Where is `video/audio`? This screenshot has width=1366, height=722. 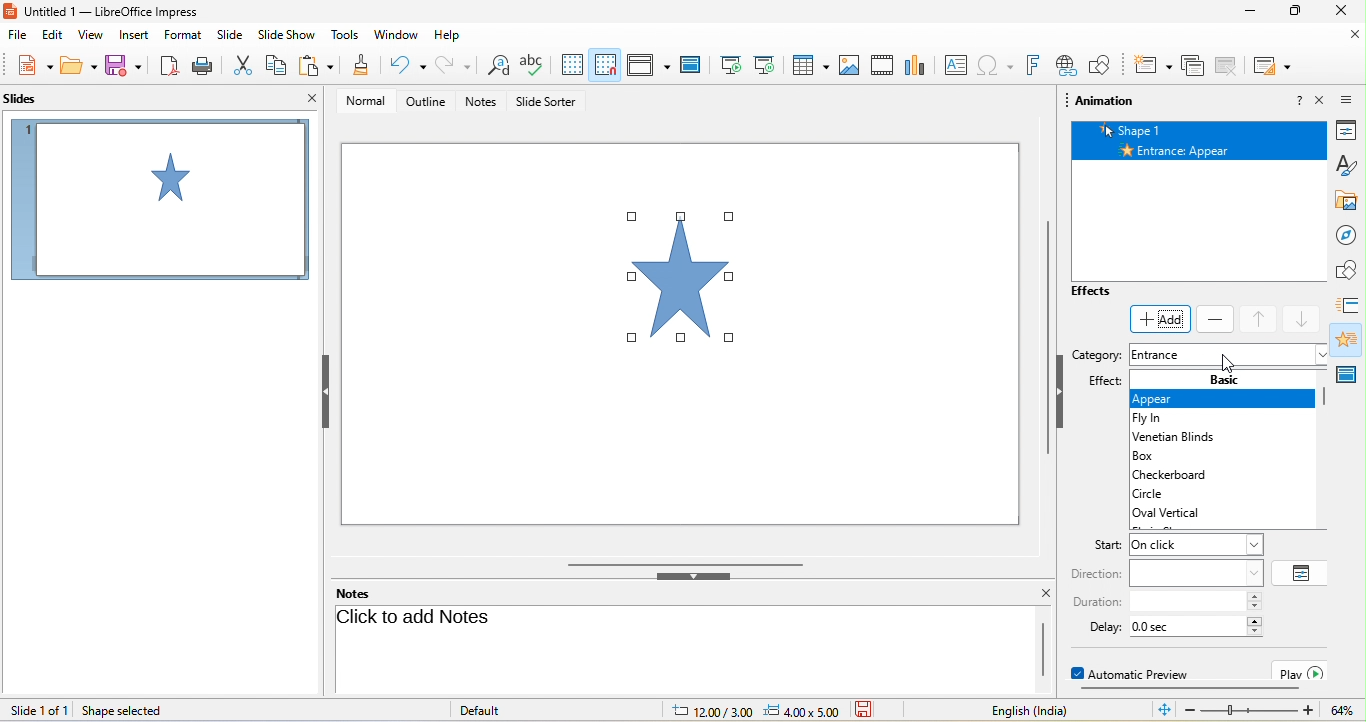 video/audio is located at coordinates (882, 64).